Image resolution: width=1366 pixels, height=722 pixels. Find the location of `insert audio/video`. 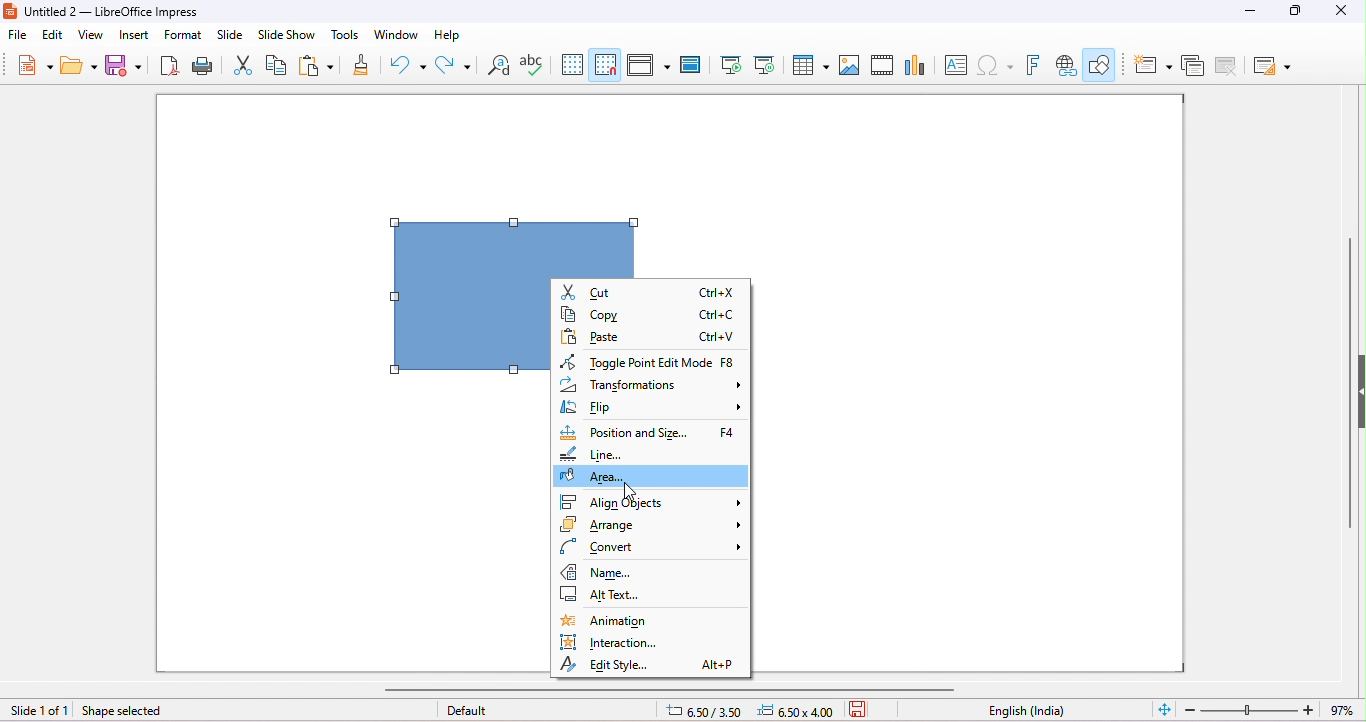

insert audio/video is located at coordinates (882, 65).